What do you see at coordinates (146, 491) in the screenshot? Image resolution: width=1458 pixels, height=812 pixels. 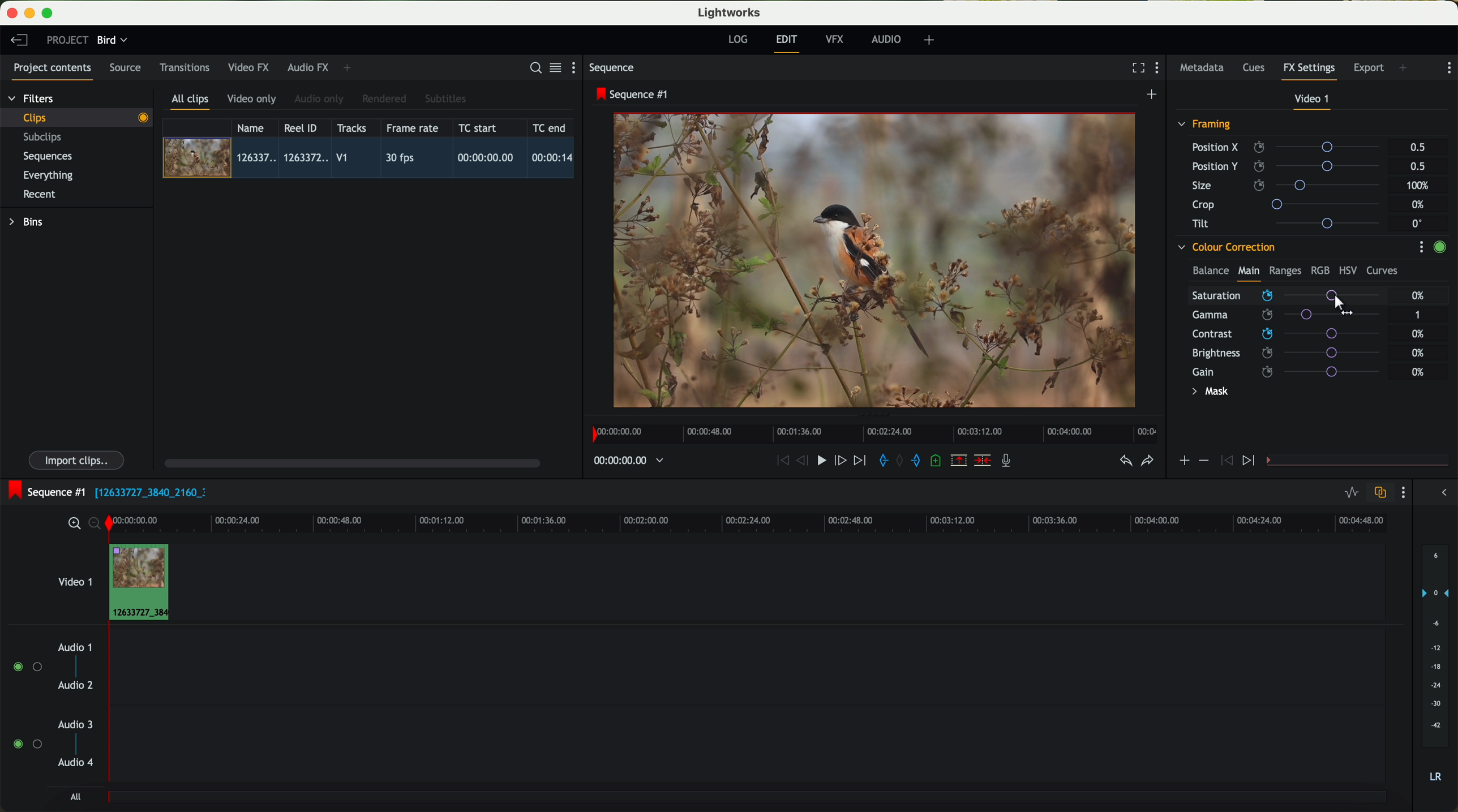 I see `black` at bounding box center [146, 491].